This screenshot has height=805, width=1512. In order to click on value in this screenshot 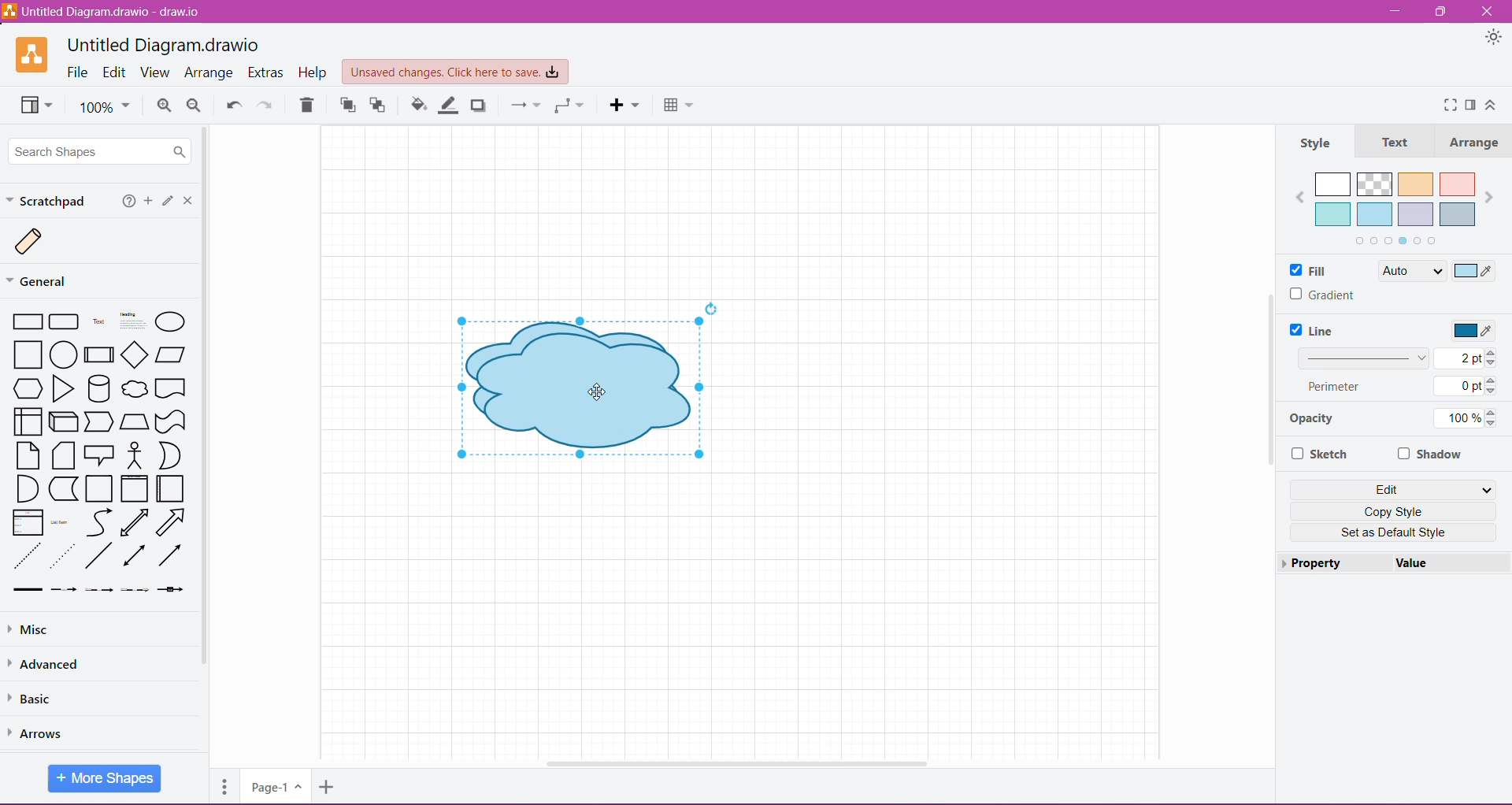, I will do `click(1448, 562)`.